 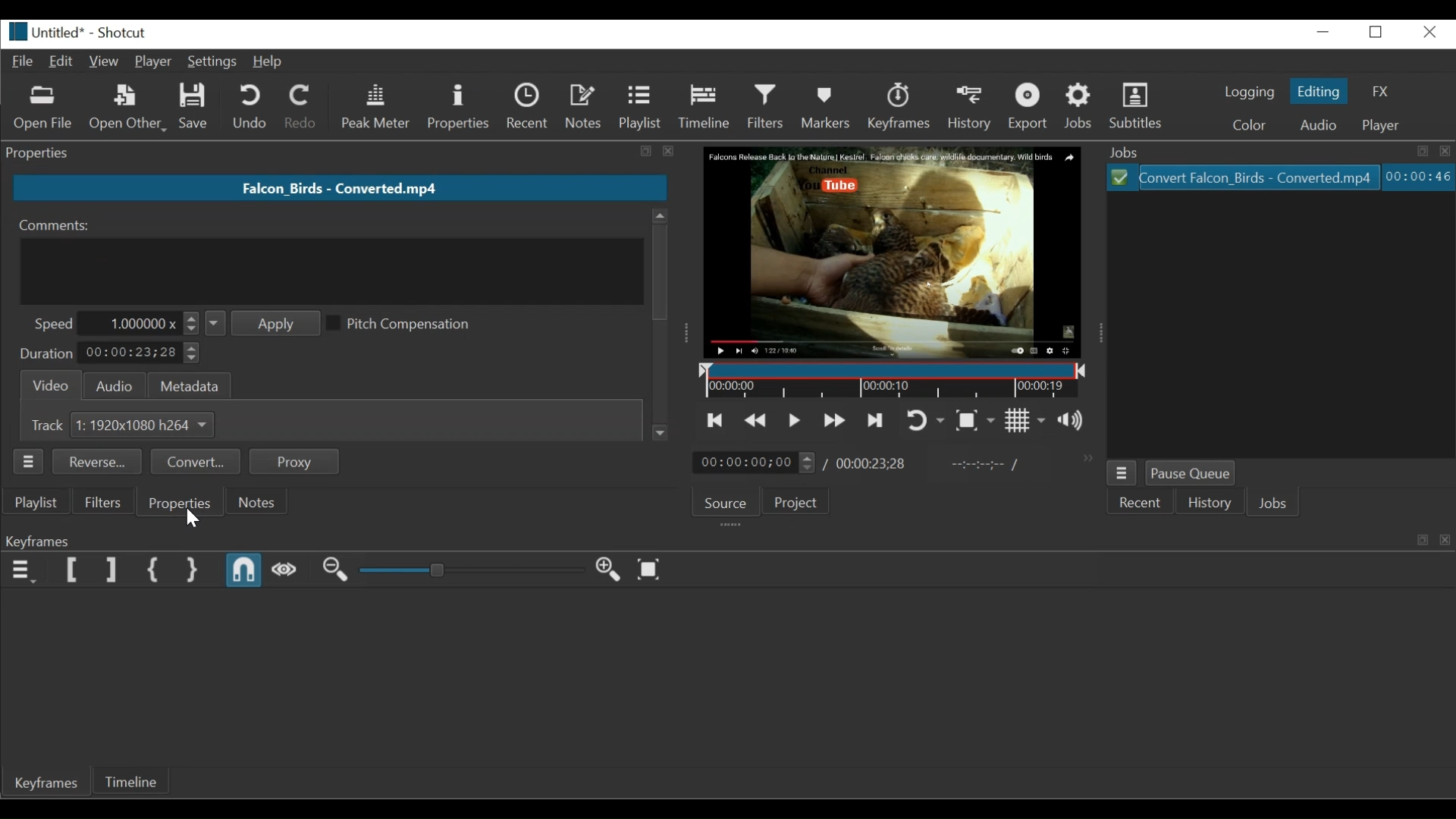 I want to click on Comments Field, so click(x=331, y=271).